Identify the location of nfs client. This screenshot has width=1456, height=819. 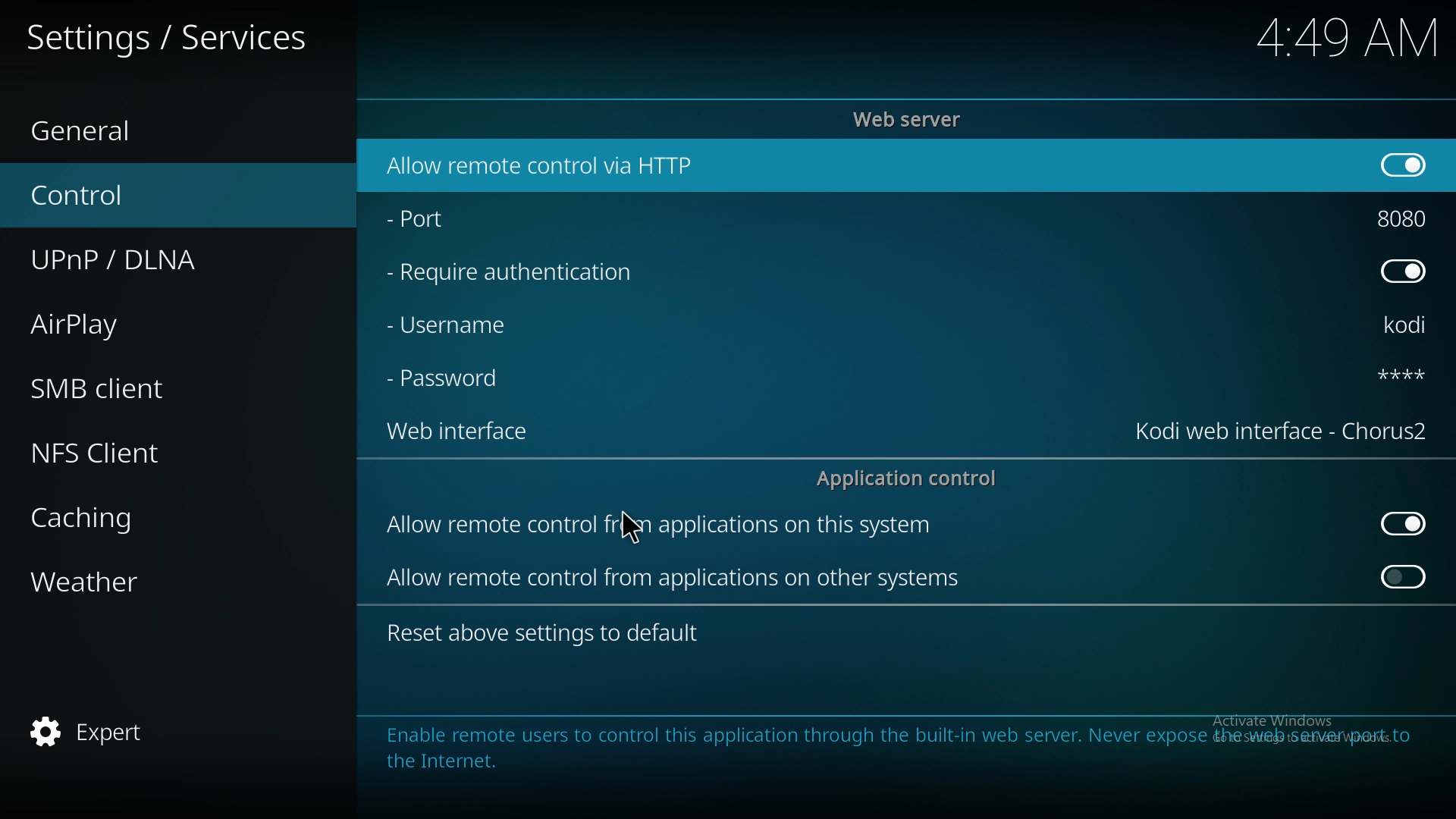
(121, 448).